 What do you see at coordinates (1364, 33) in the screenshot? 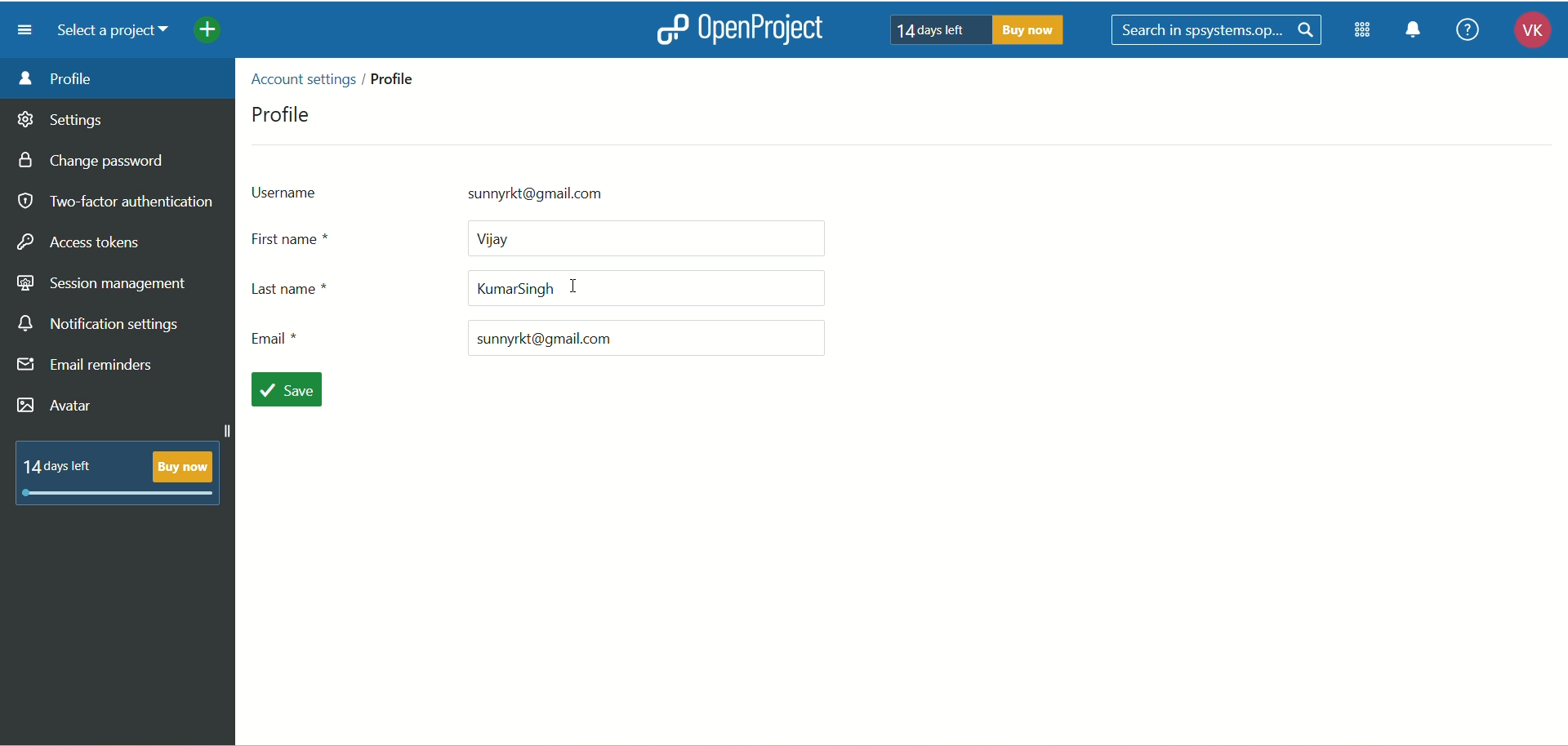
I see `modules` at bounding box center [1364, 33].